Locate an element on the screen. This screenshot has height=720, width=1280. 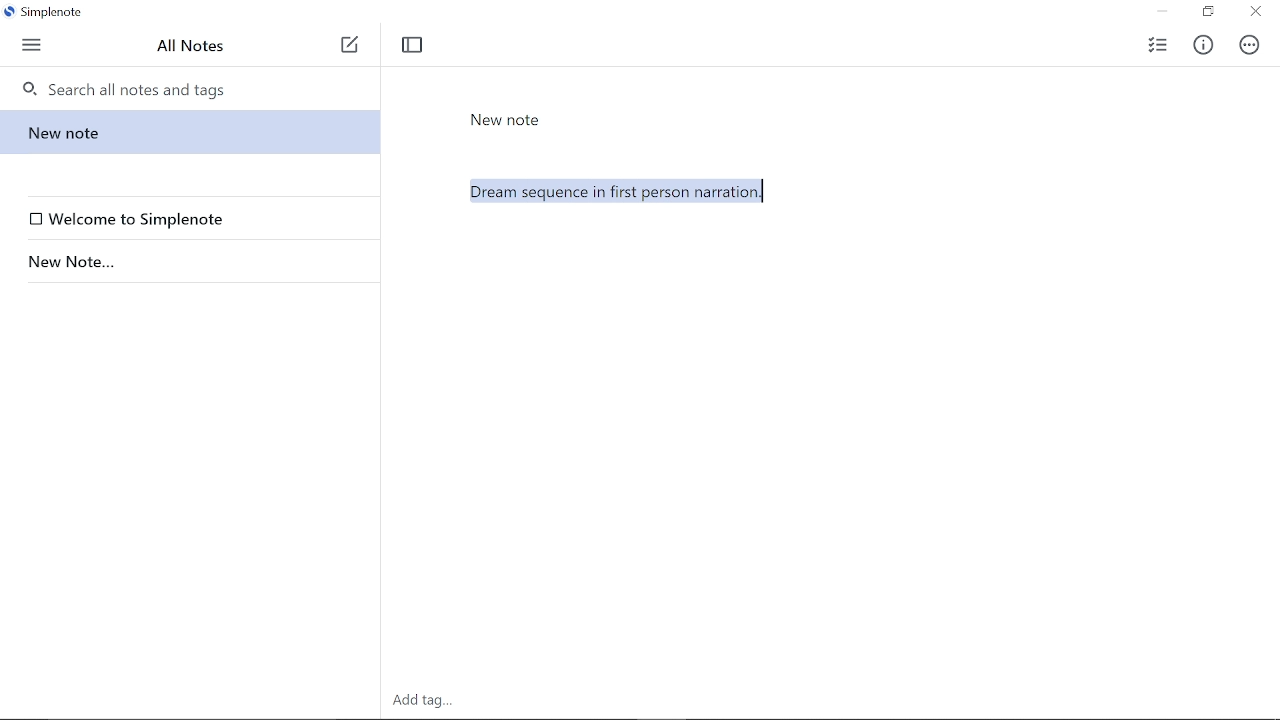
Actions is located at coordinates (1250, 45).